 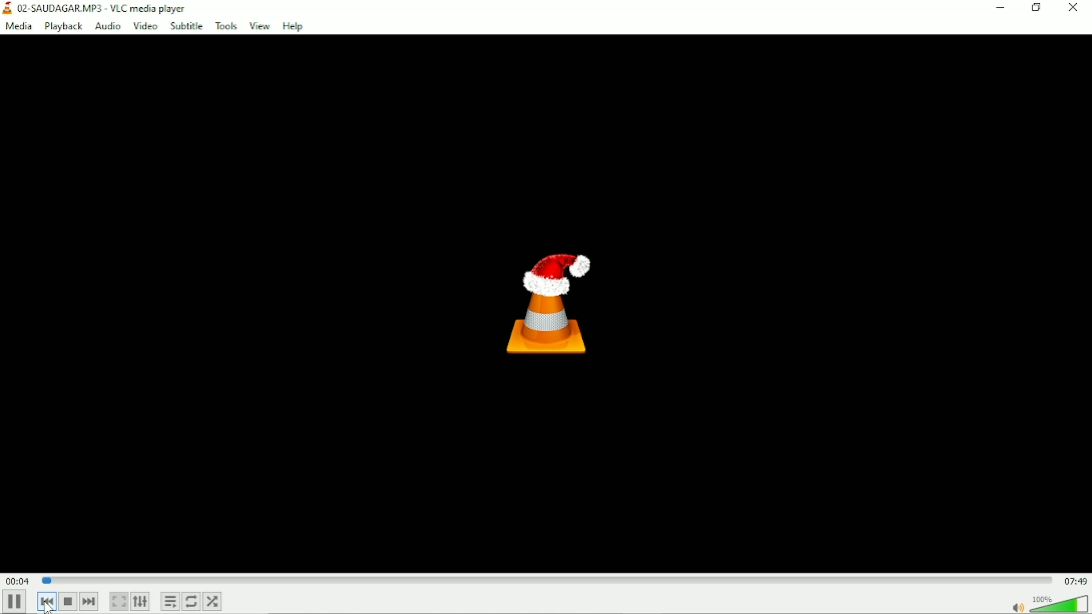 I want to click on Play duration, so click(x=545, y=580).